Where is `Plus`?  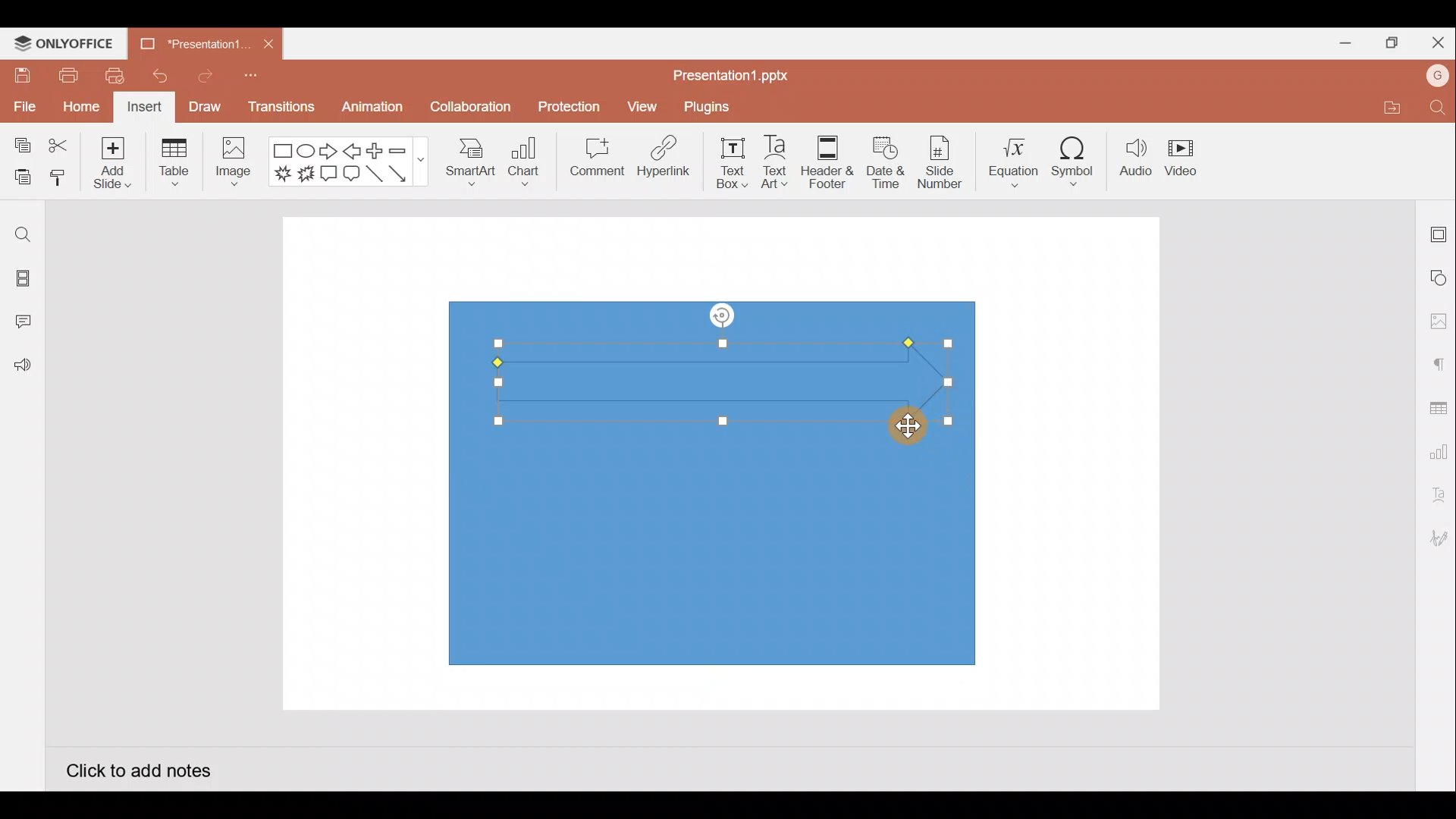 Plus is located at coordinates (378, 151).